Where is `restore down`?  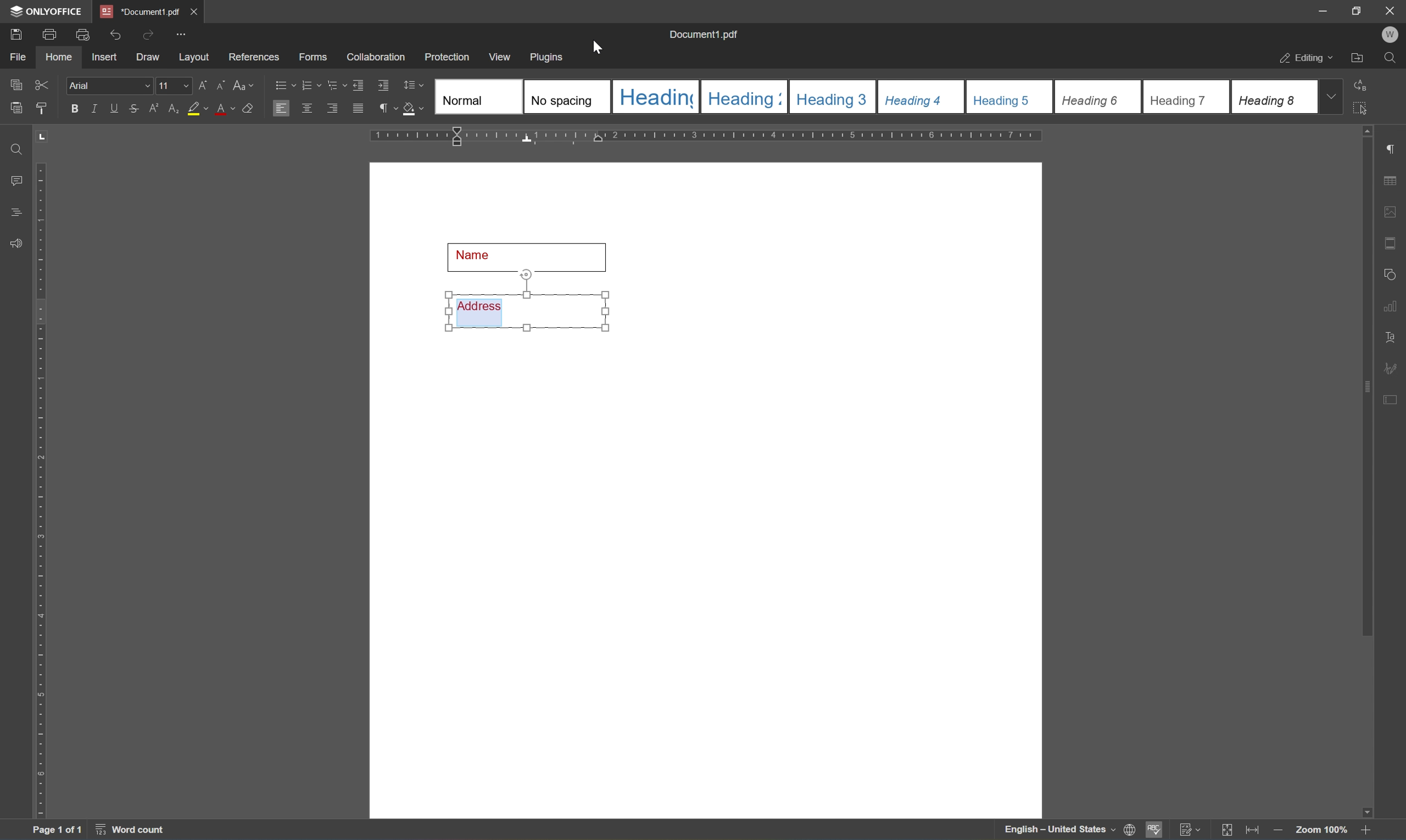 restore down is located at coordinates (1356, 11).